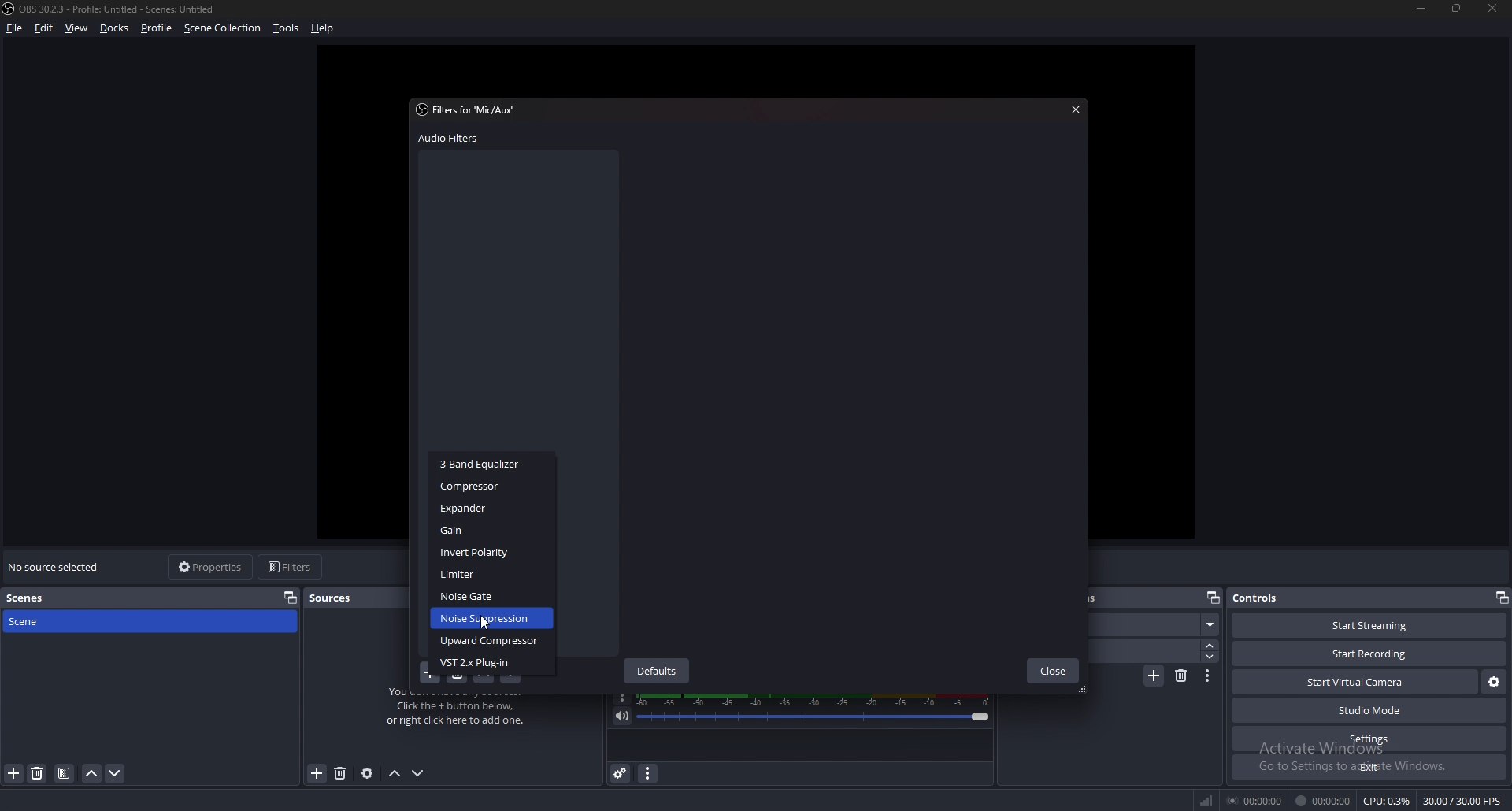  Describe the element at coordinates (1369, 626) in the screenshot. I see `start streaming` at that location.